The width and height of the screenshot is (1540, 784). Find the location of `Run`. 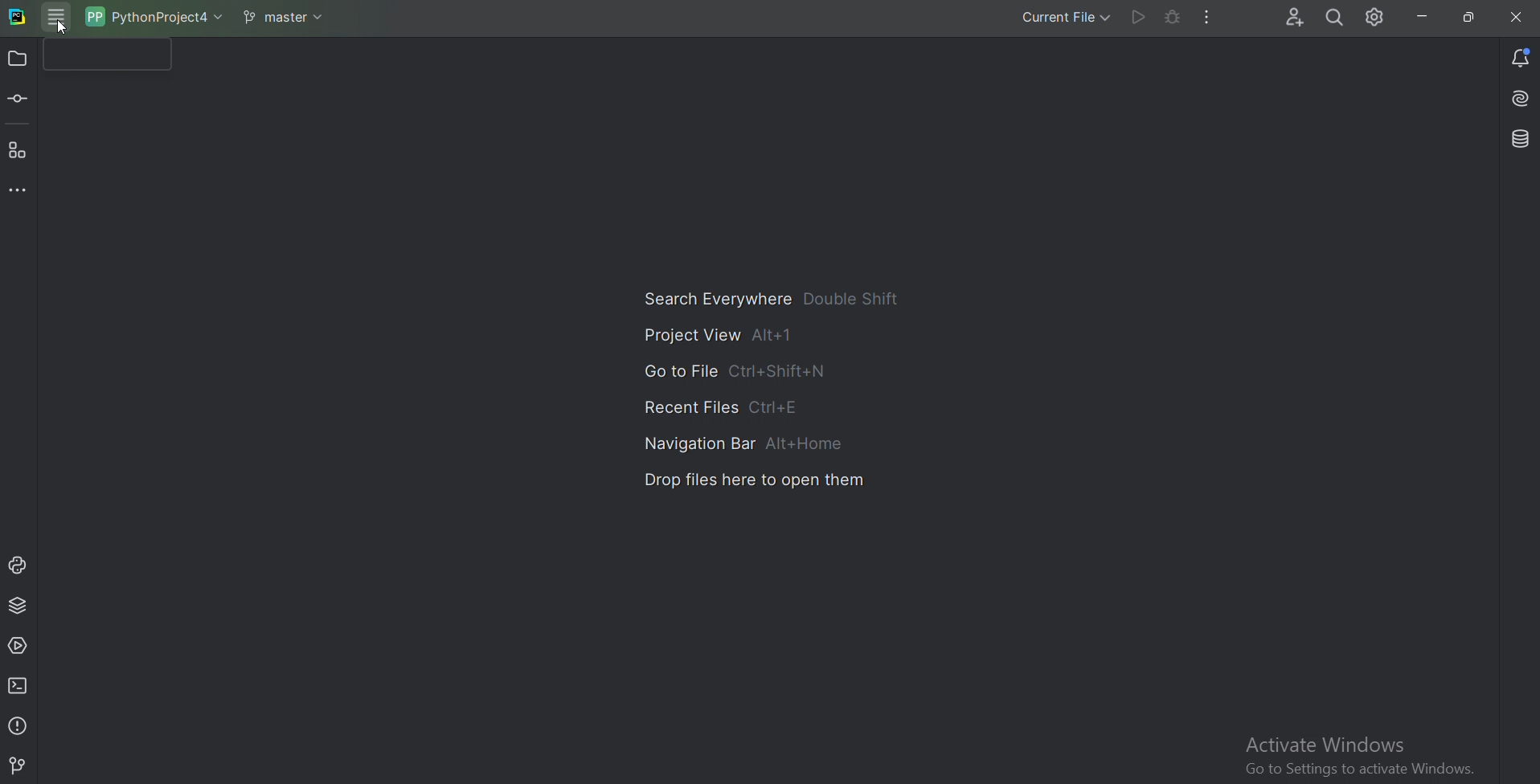

Run is located at coordinates (1137, 18).